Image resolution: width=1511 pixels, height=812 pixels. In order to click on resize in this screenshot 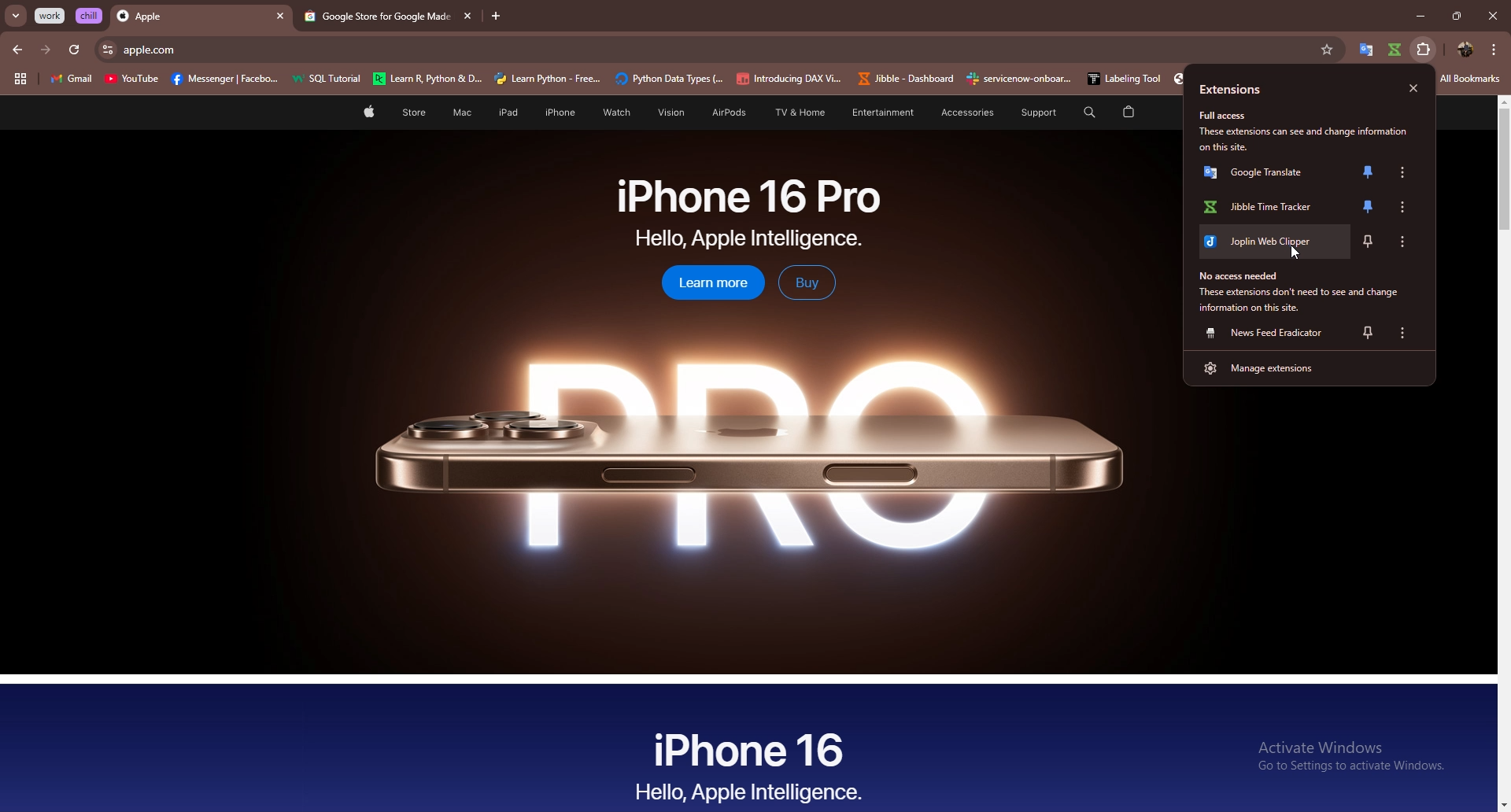, I will do `click(1456, 16)`.